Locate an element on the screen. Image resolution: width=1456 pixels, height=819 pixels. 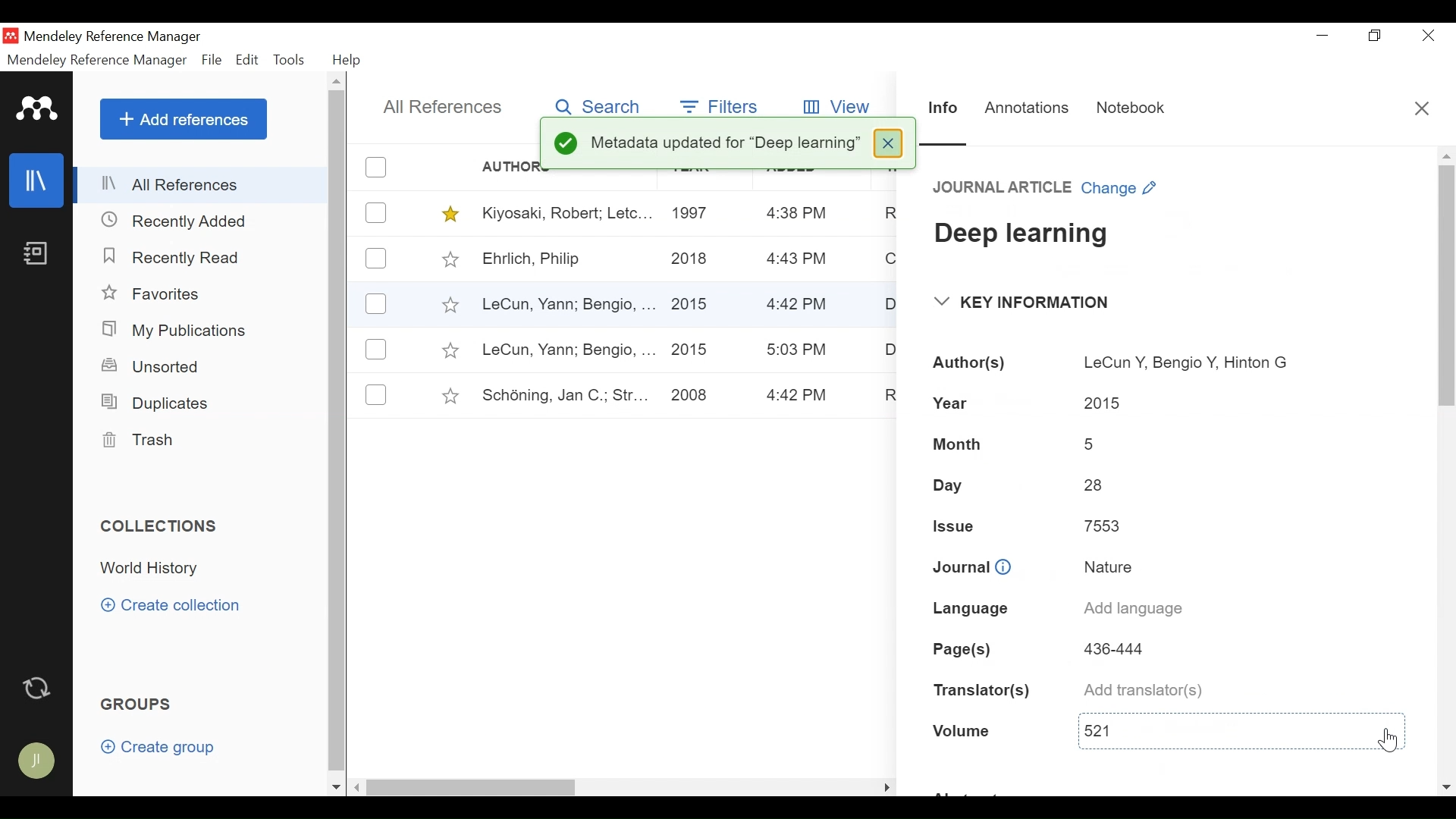
Toggle Favorites is located at coordinates (451, 214).